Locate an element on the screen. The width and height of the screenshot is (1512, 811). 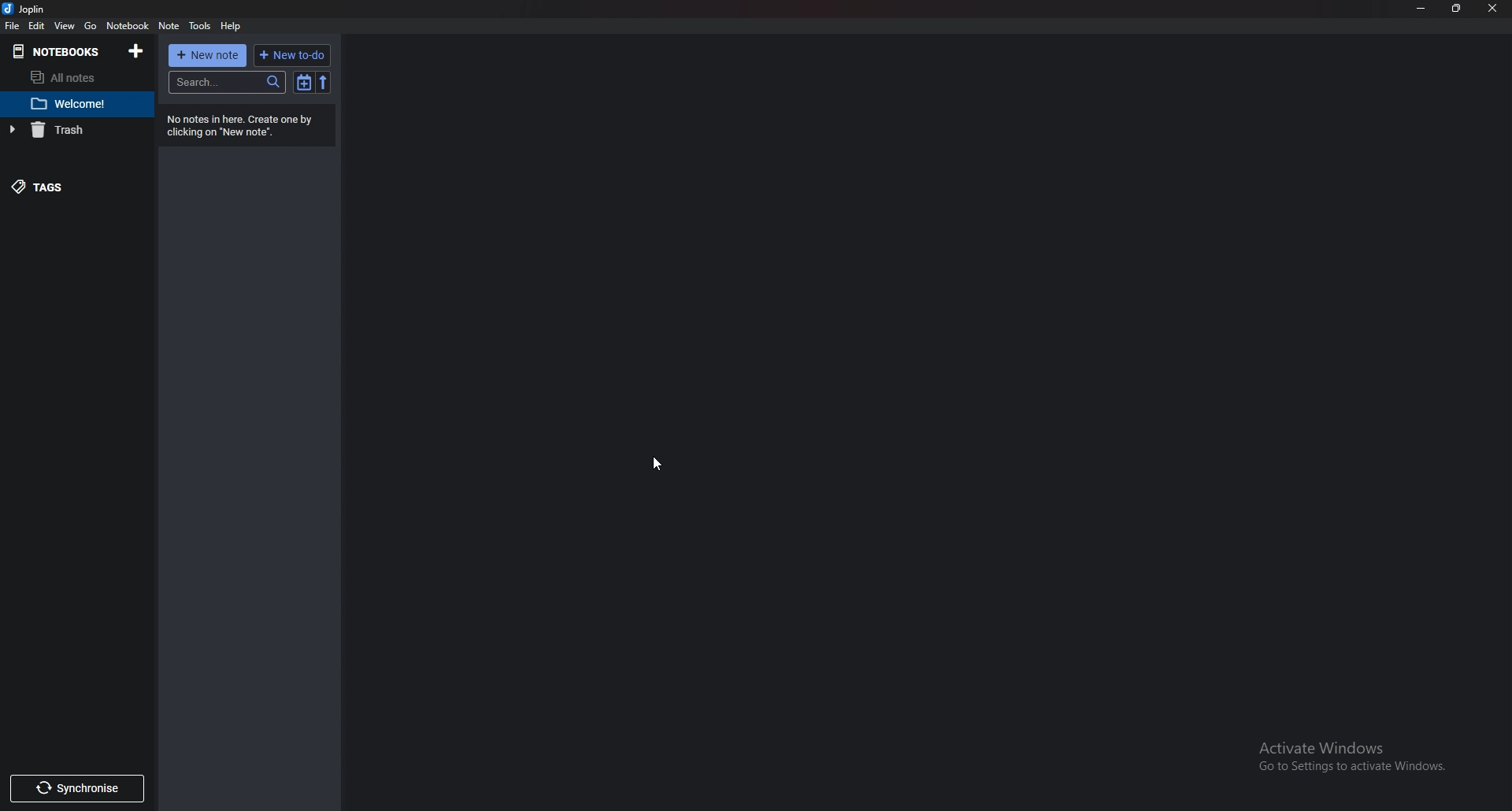
cursor is located at coordinates (657, 461).